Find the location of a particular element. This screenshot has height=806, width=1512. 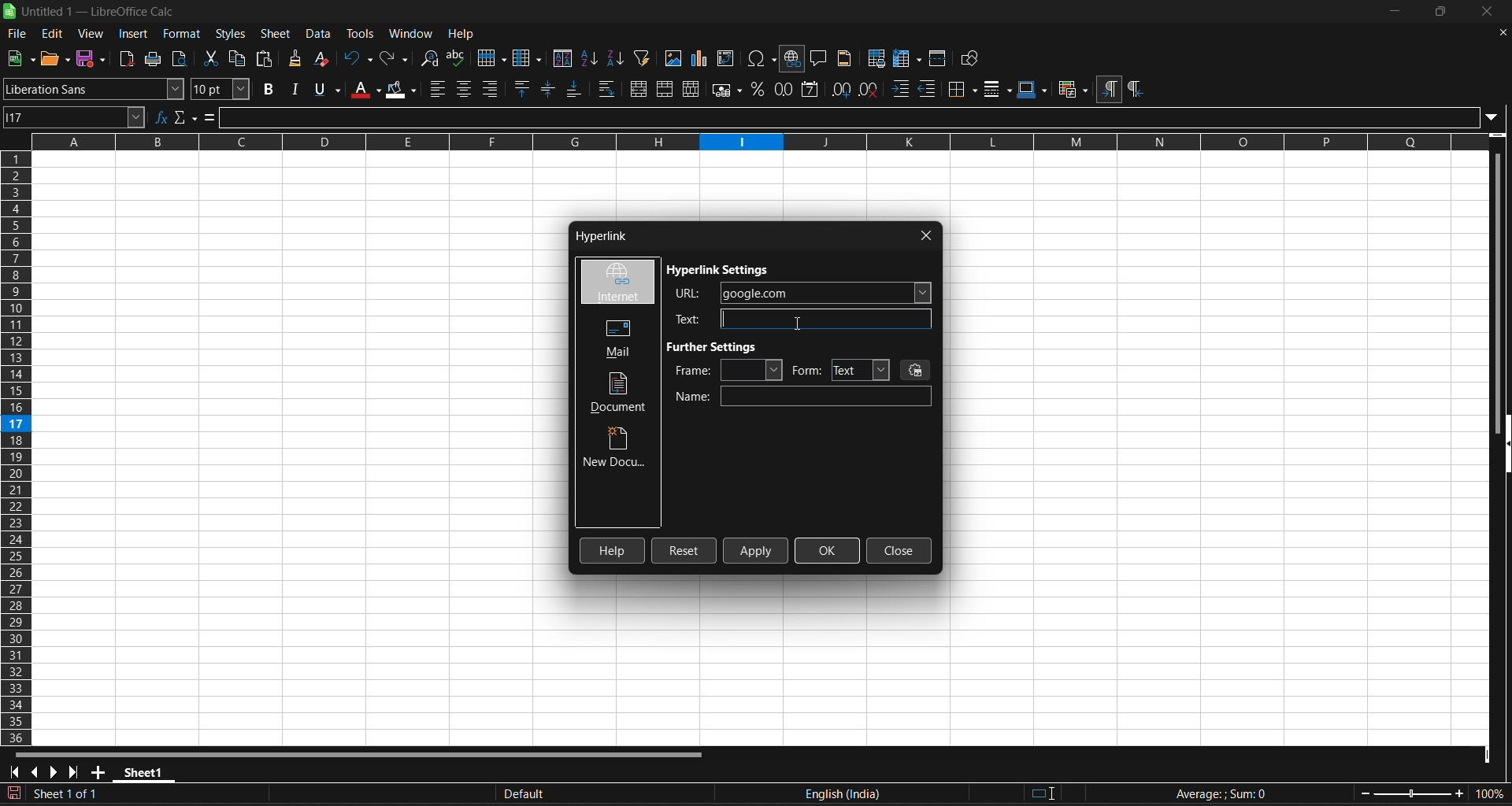

file is located at coordinates (17, 35).